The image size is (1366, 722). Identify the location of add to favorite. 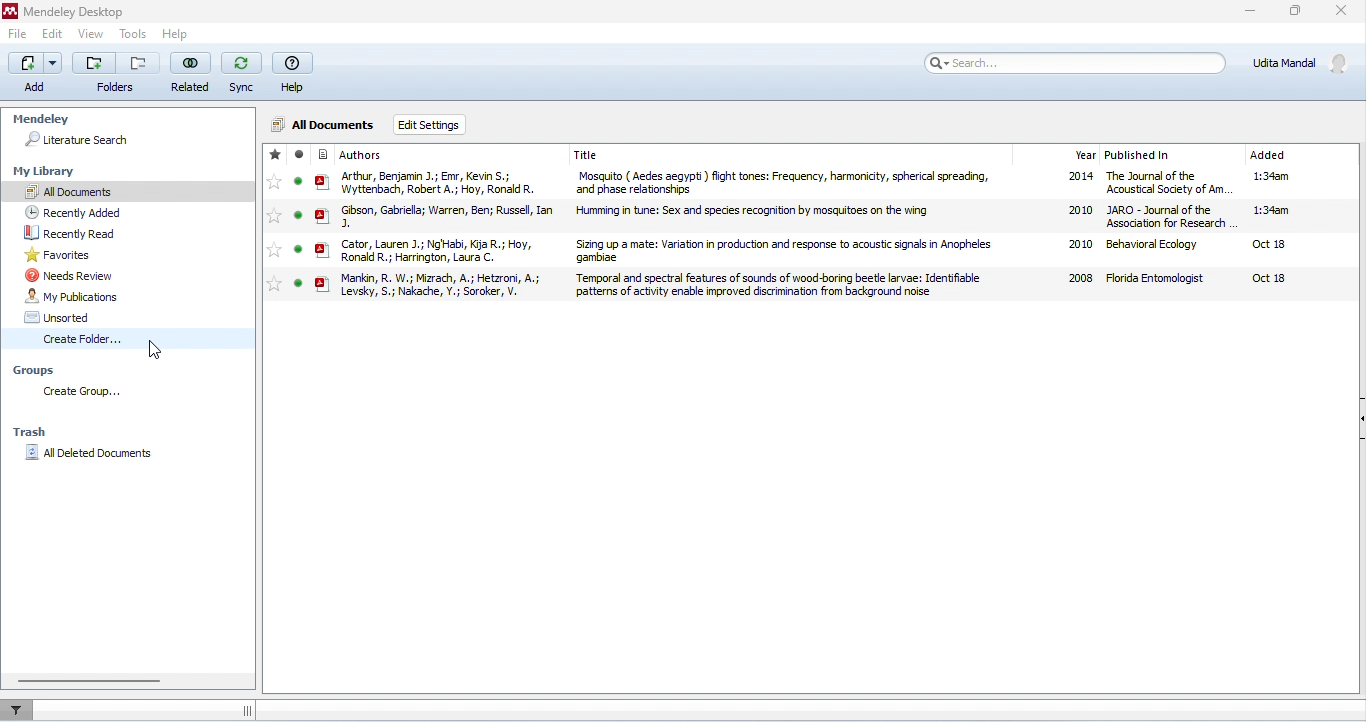
(275, 182).